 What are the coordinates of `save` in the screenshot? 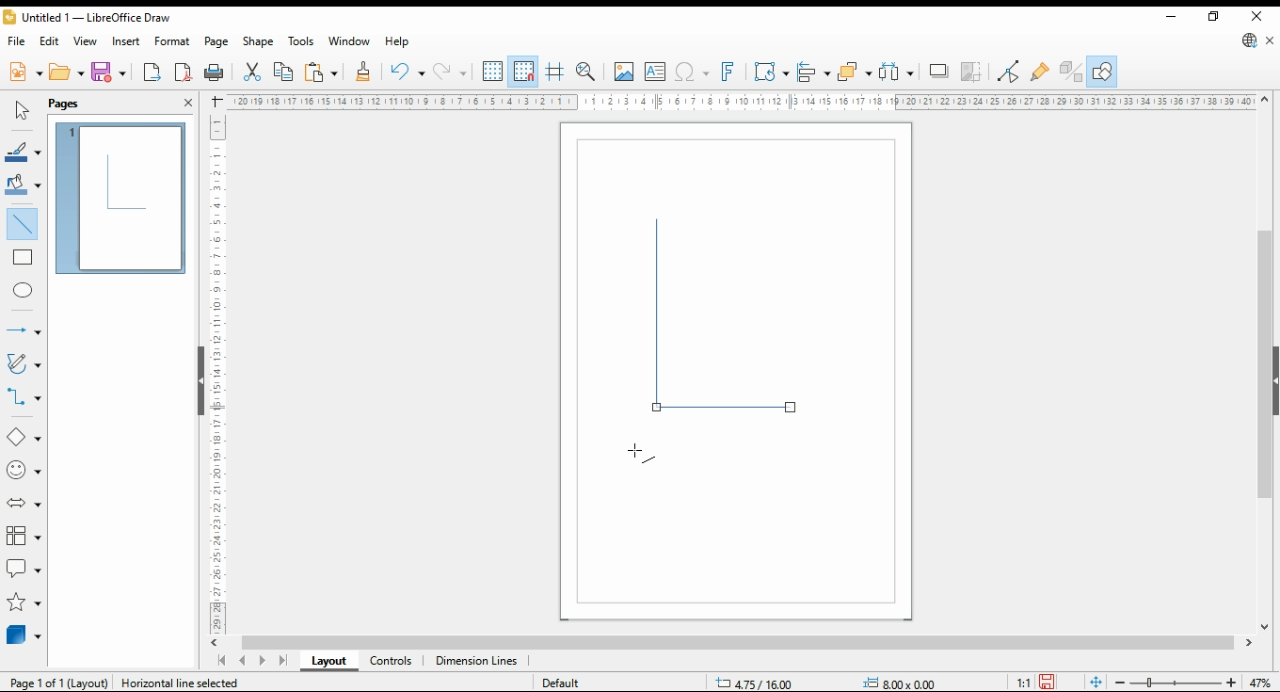 It's located at (110, 72).